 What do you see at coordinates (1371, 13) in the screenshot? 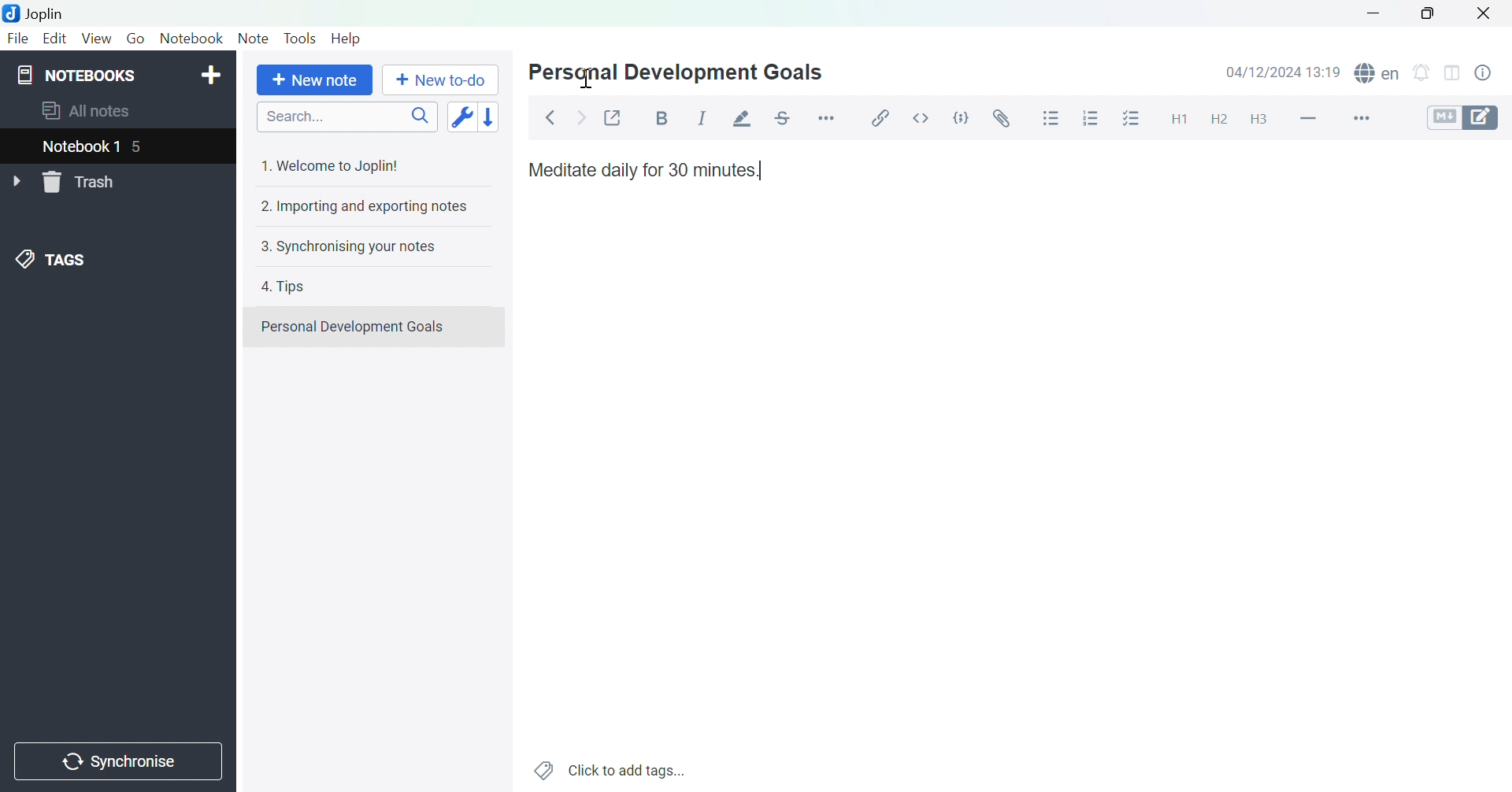
I see `Minimize` at bounding box center [1371, 13].